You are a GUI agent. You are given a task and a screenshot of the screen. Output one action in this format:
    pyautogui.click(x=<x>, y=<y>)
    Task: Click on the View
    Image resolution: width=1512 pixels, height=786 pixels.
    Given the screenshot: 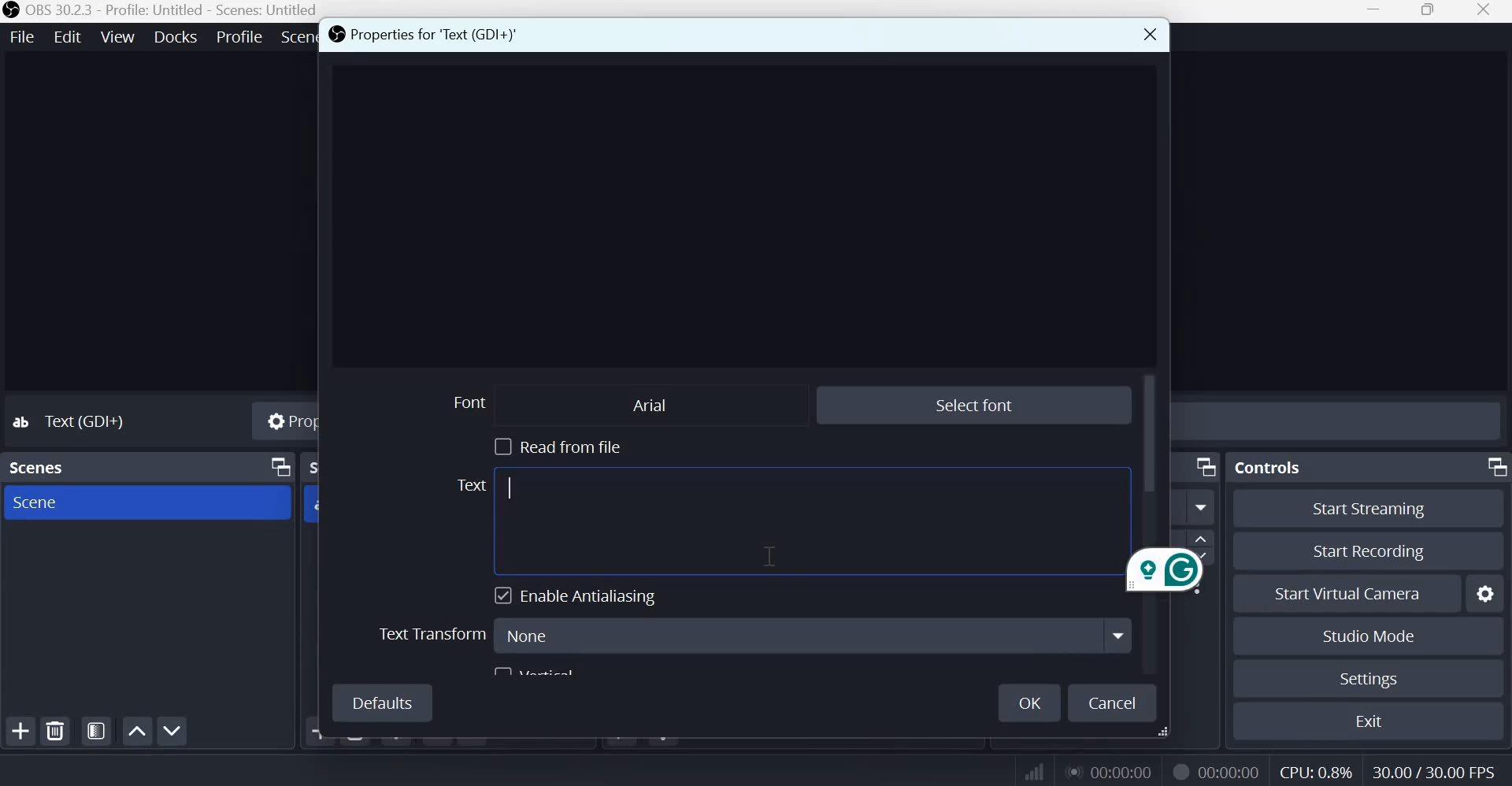 What is the action you would take?
    pyautogui.click(x=119, y=36)
    